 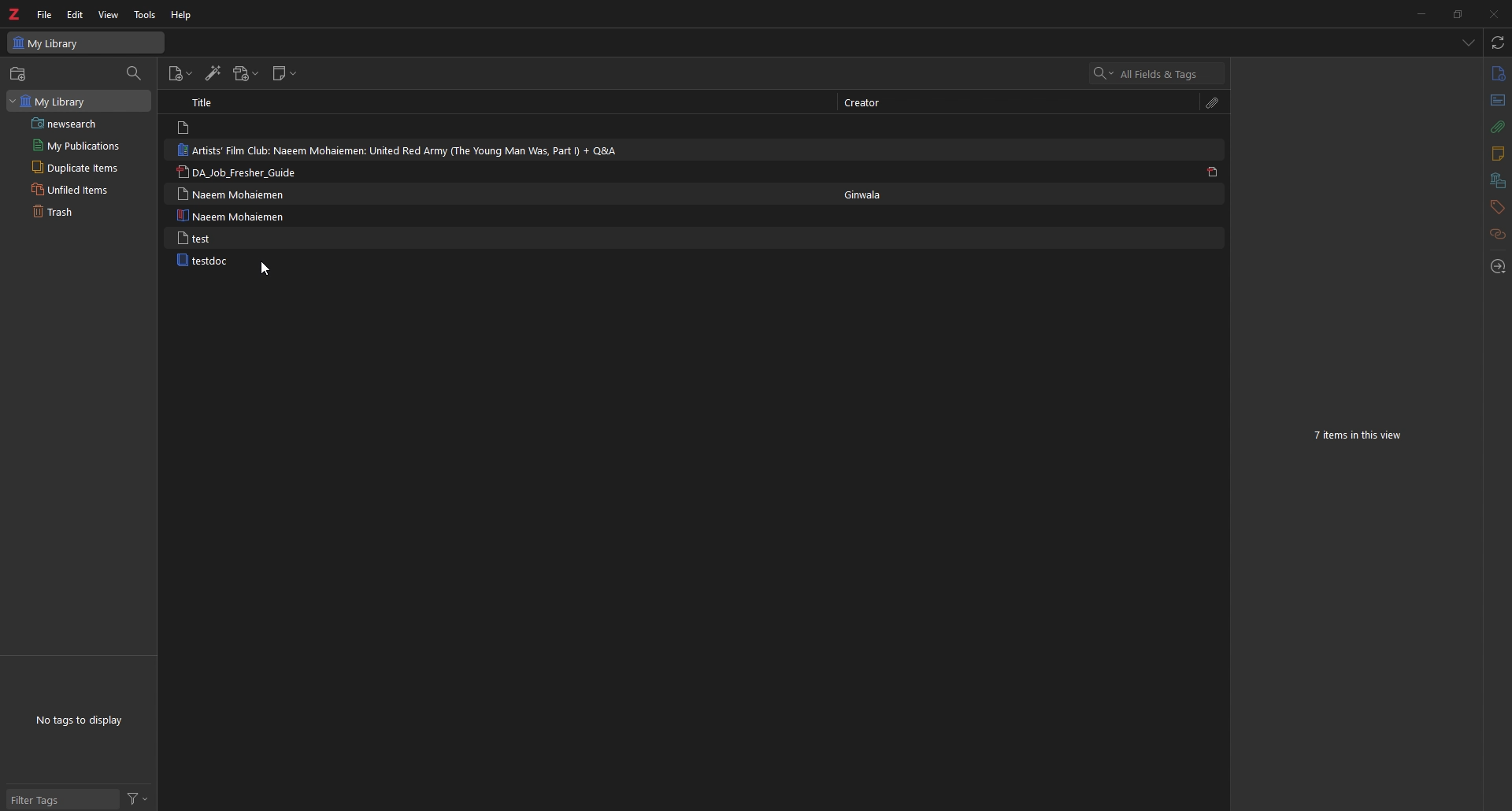 What do you see at coordinates (285, 73) in the screenshot?
I see `new note` at bounding box center [285, 73].